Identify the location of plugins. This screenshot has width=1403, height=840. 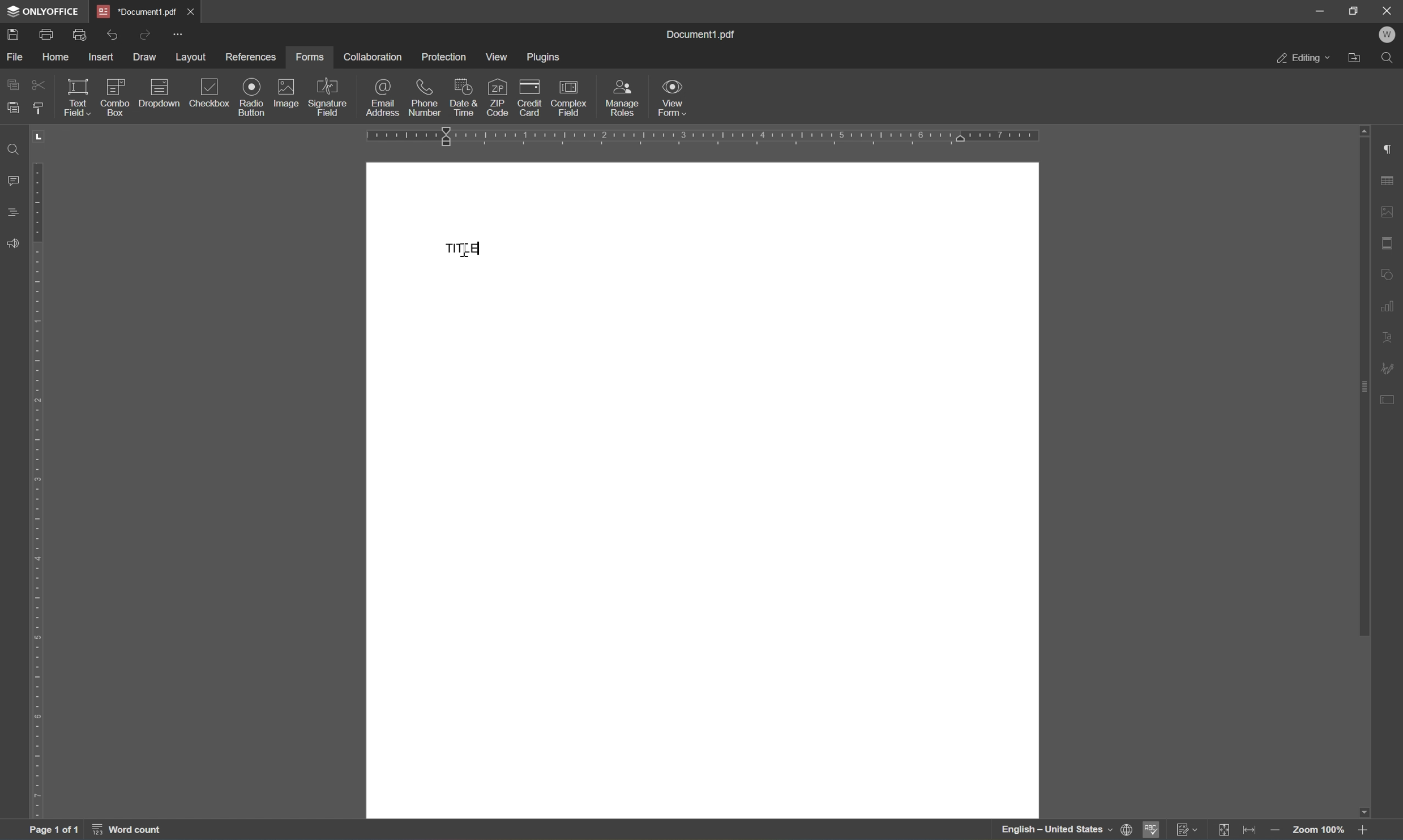
(544, 57).